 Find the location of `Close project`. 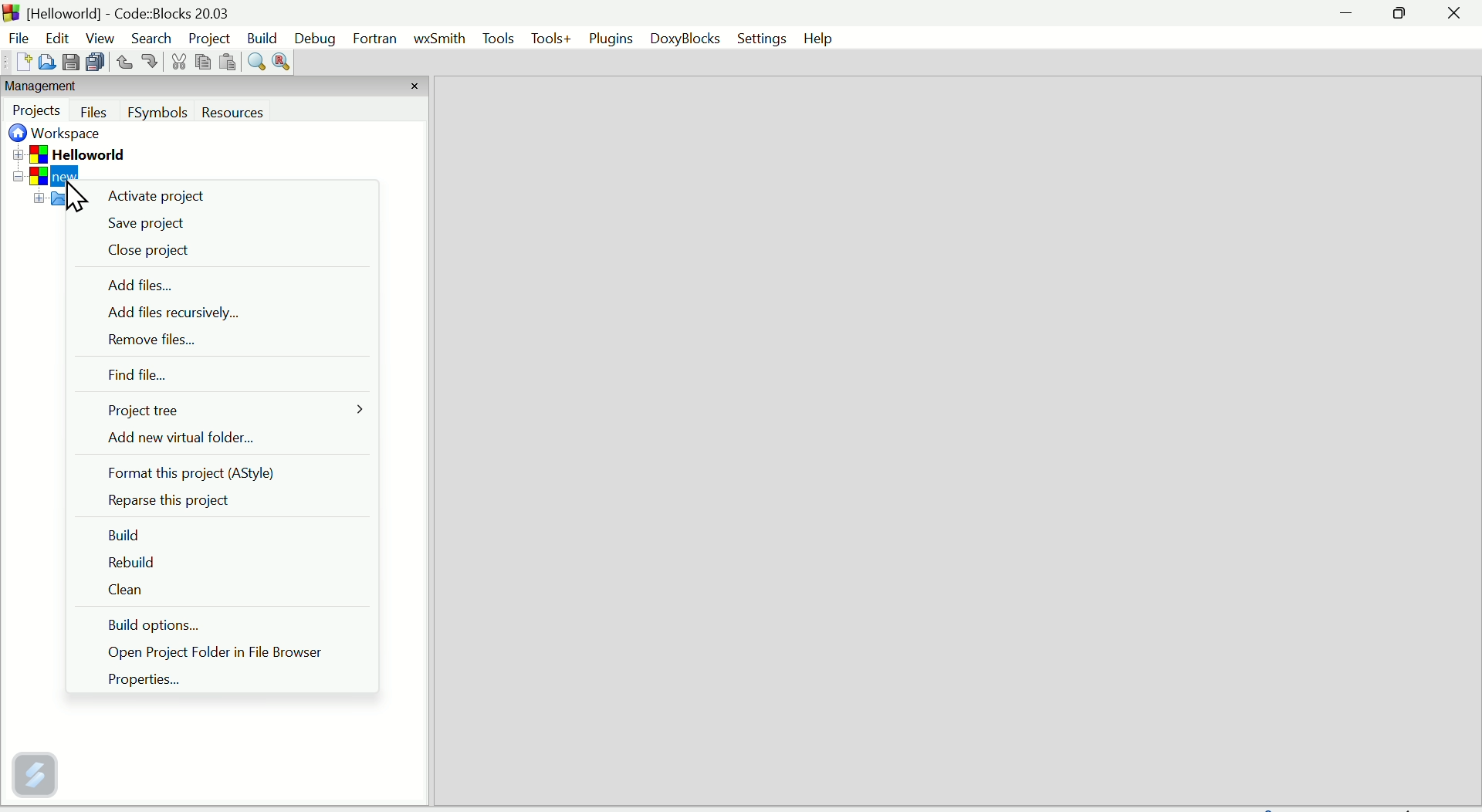

Close project is located at coordinates (146, 253).